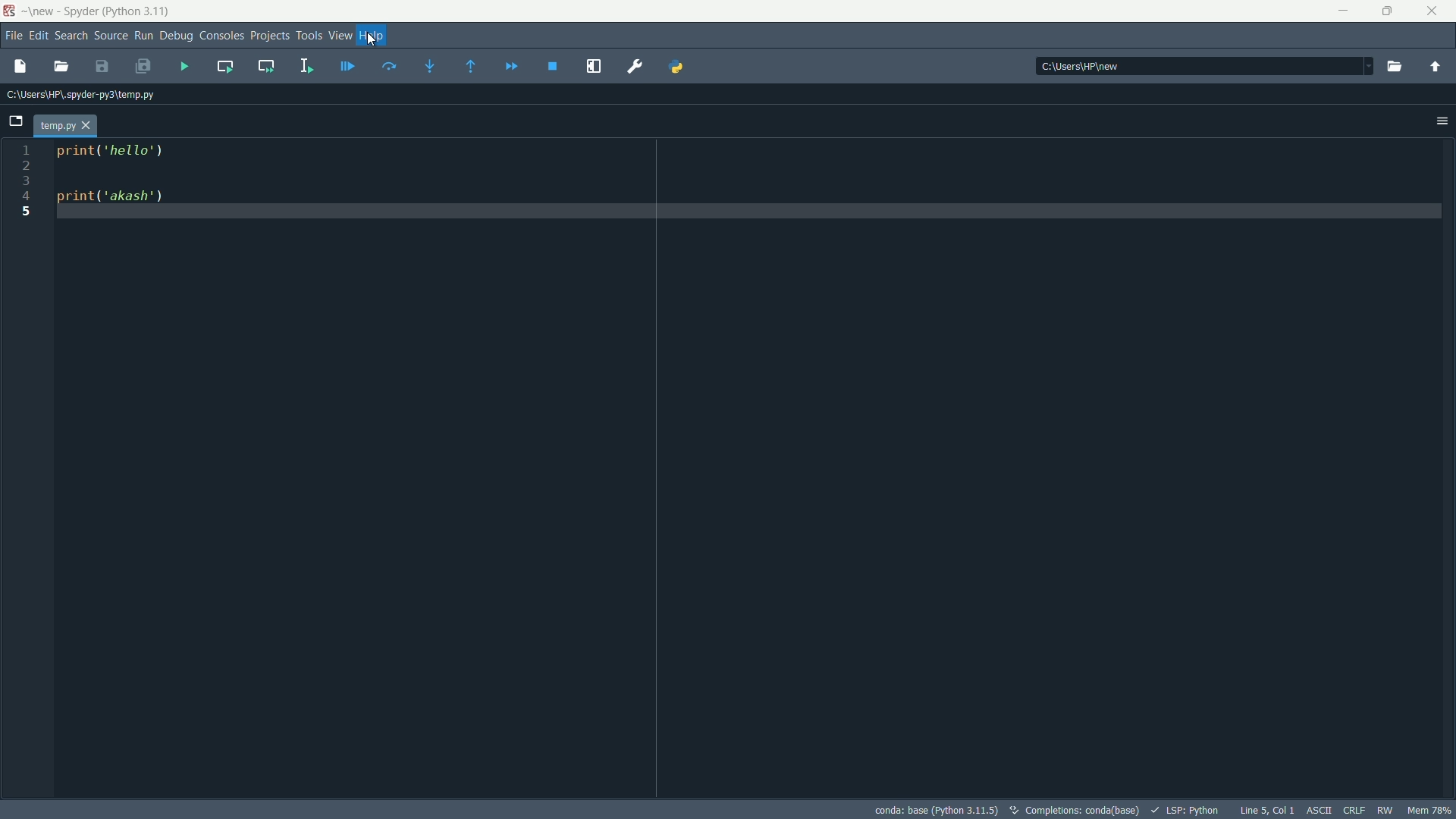 The width and height of the screenshot is (1456, 819). I want to click on directory, so click(1200, 67).